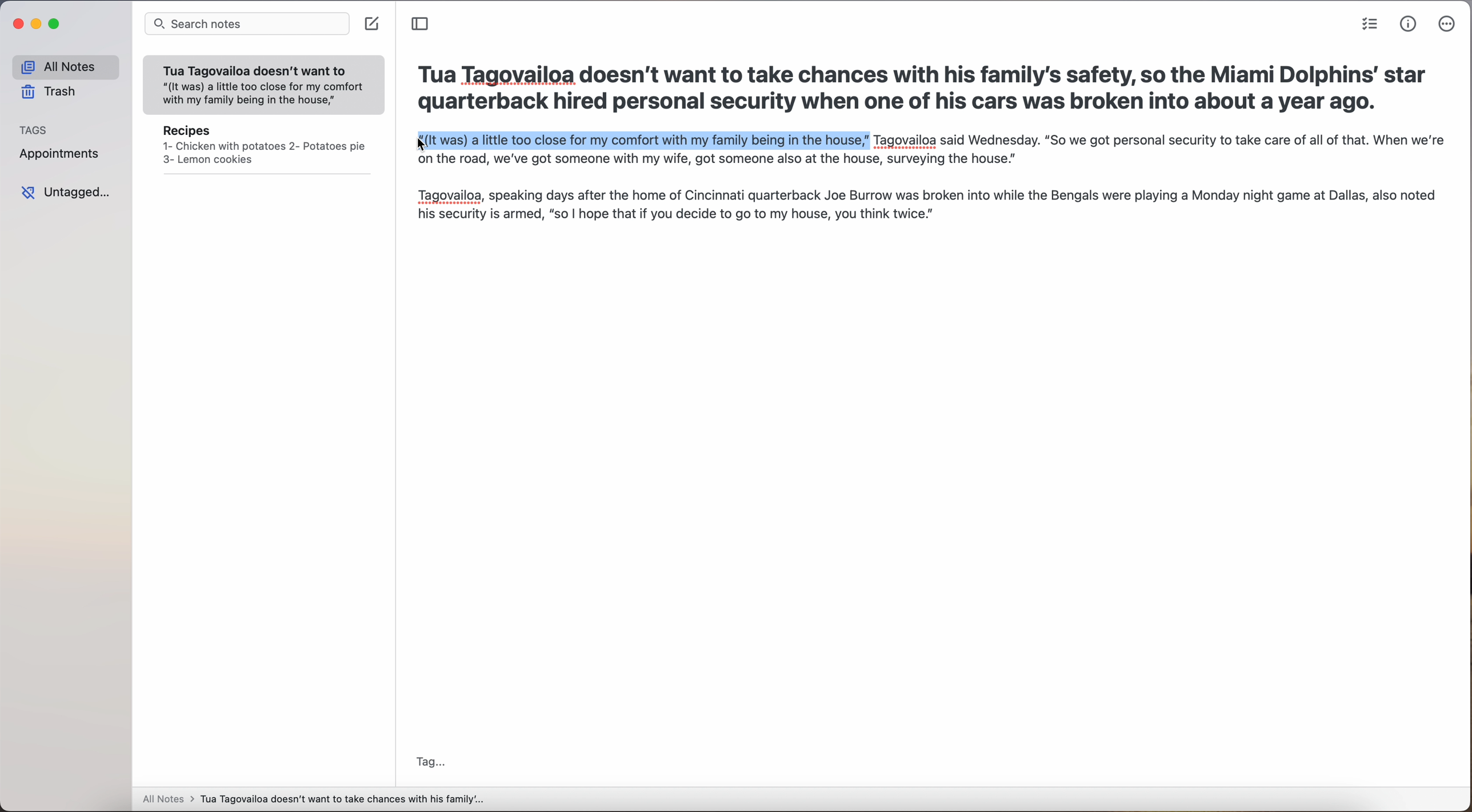 The height and width of the screenshot is (812, 1472). I want to click on Tua Tagovailoa doesn't want to note, so click(264, 86).